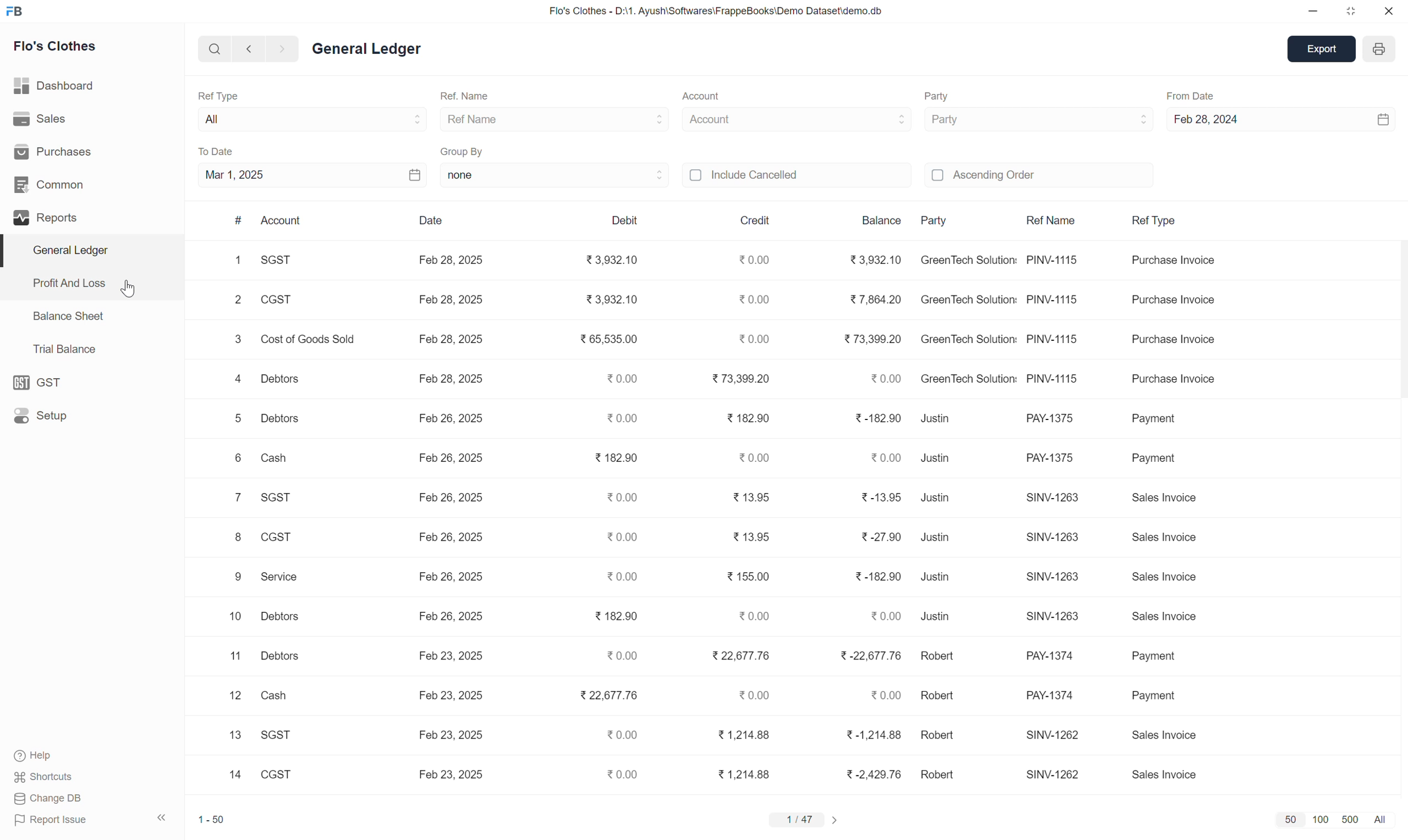 The image size is (1408, 840). Describe the element at coordinates (448, 380) in the screenshot. I see `Feb 28, 2025` at that location.